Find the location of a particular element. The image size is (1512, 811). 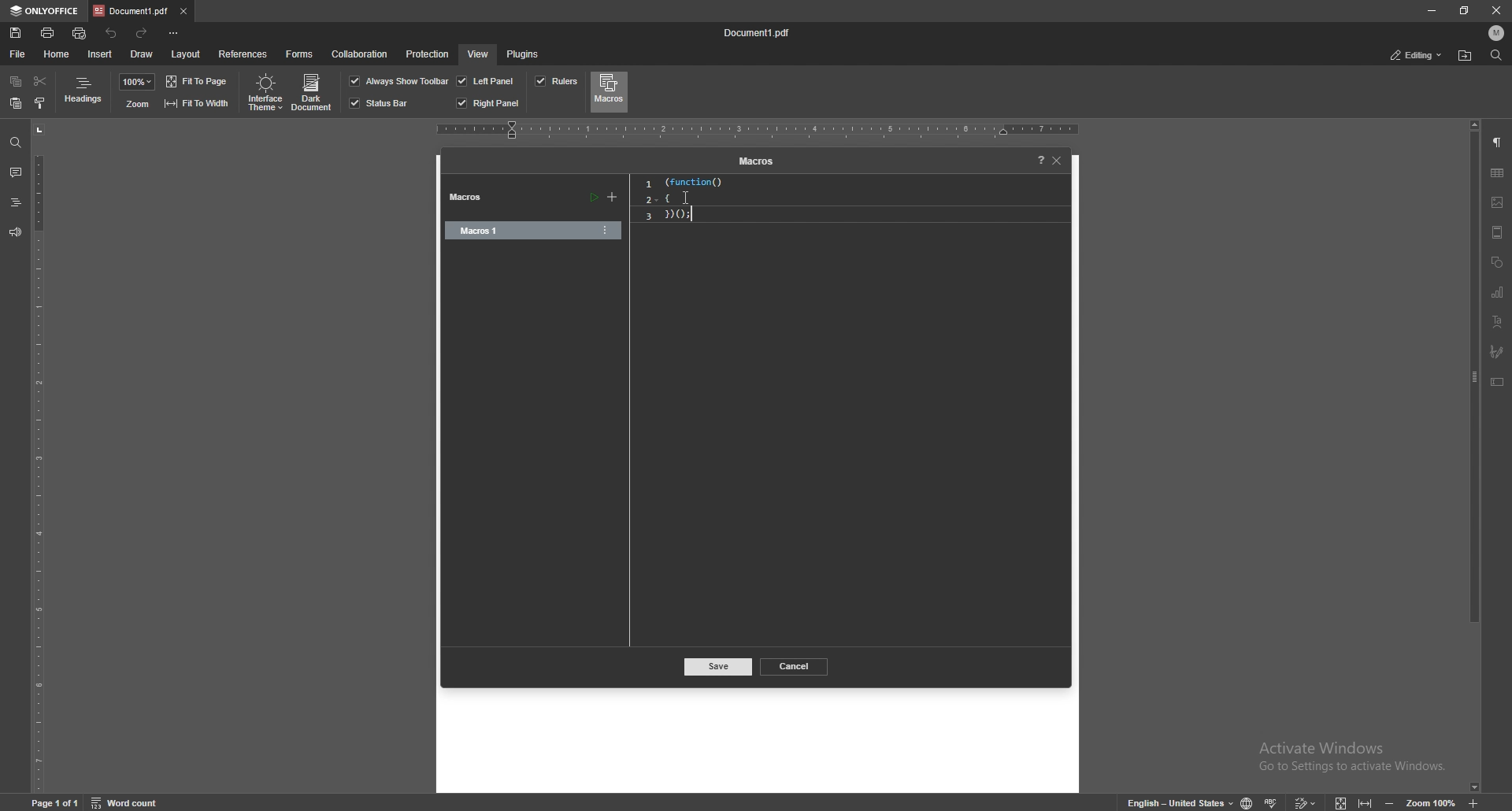

macros is located at coordinates (472, 198).